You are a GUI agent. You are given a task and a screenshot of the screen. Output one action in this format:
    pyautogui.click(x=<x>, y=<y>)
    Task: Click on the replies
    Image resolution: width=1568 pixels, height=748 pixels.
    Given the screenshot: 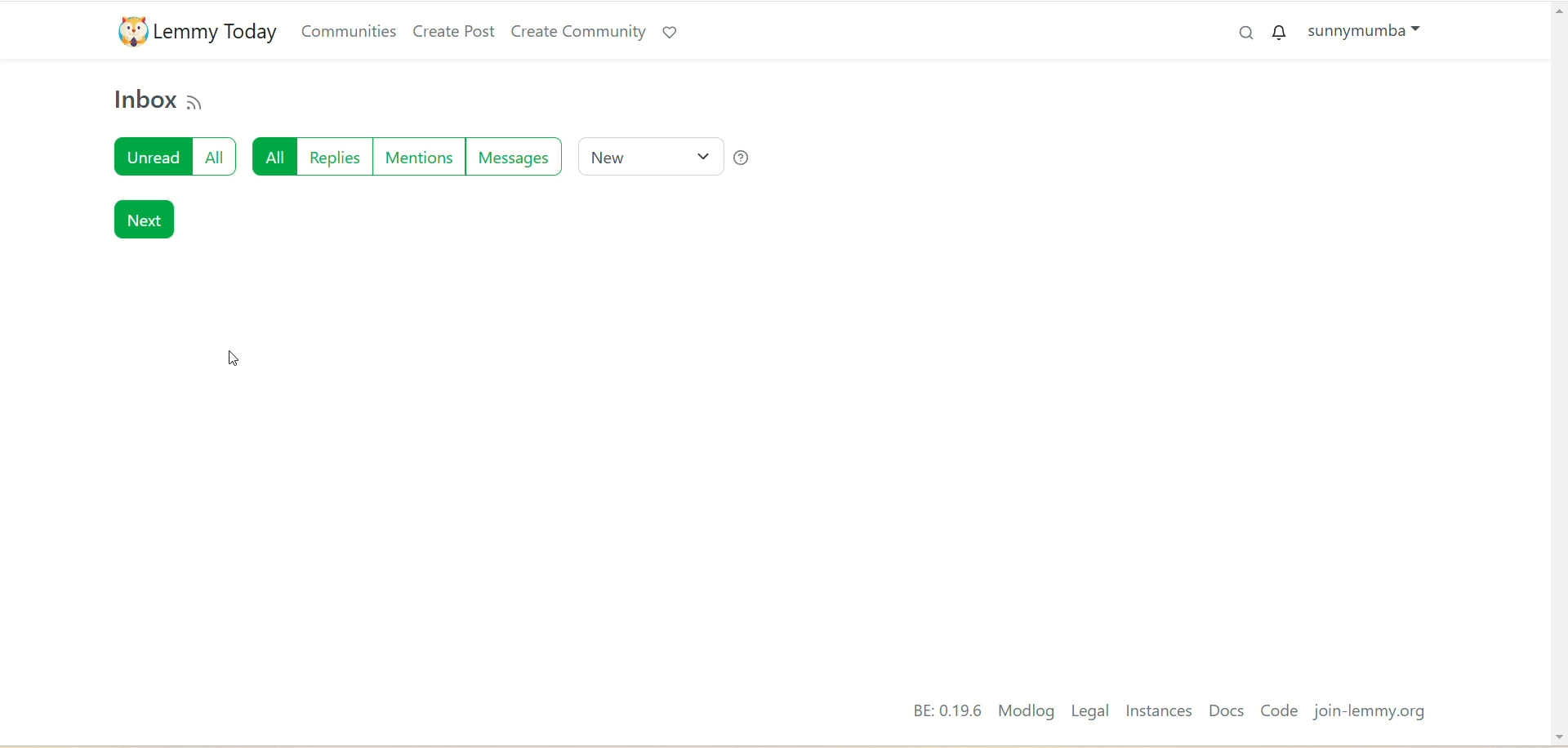 What is the action you would take?
    pyautogui.click(x=336, y=160)
    